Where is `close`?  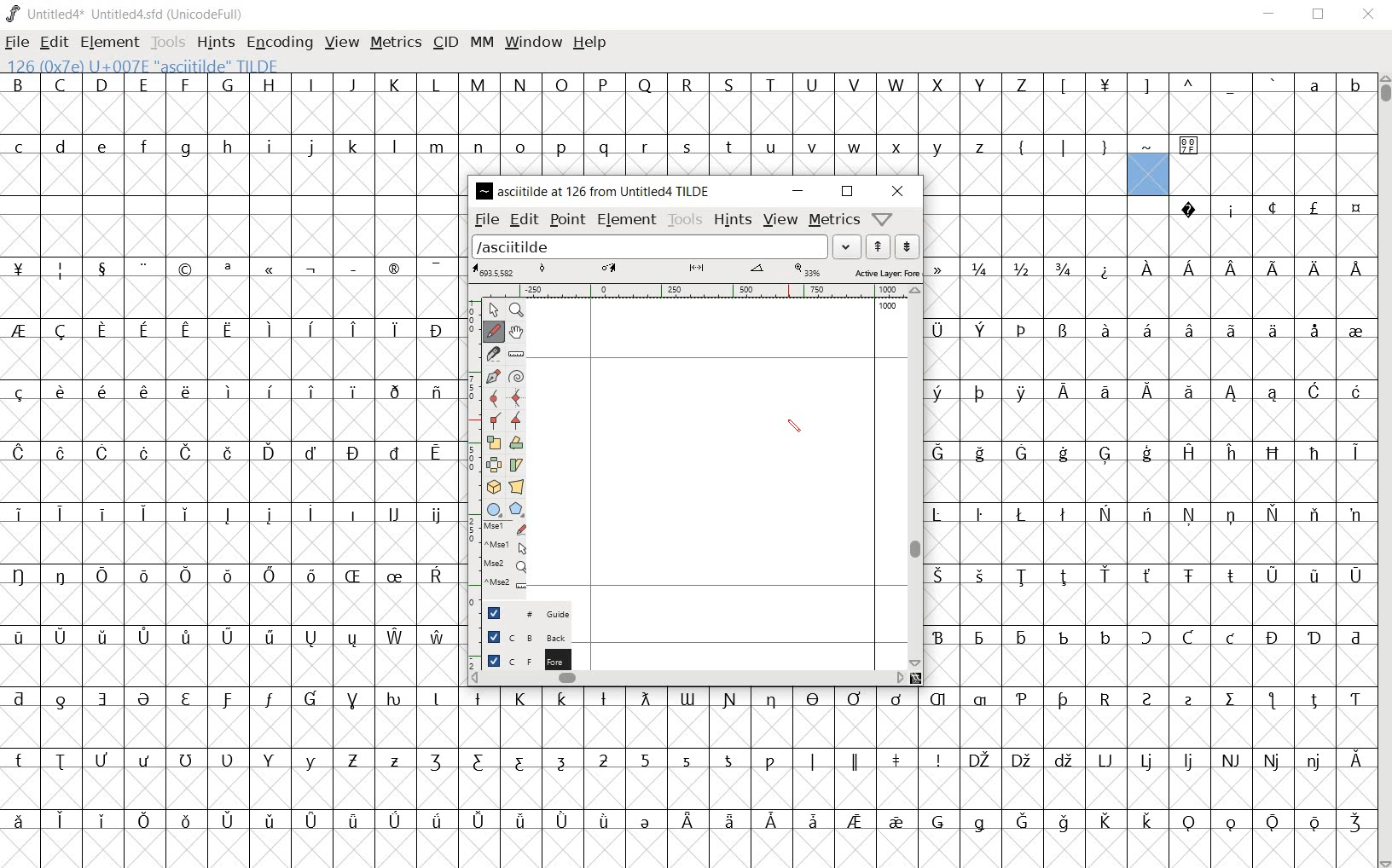
close is located at coordinates (896, 189).